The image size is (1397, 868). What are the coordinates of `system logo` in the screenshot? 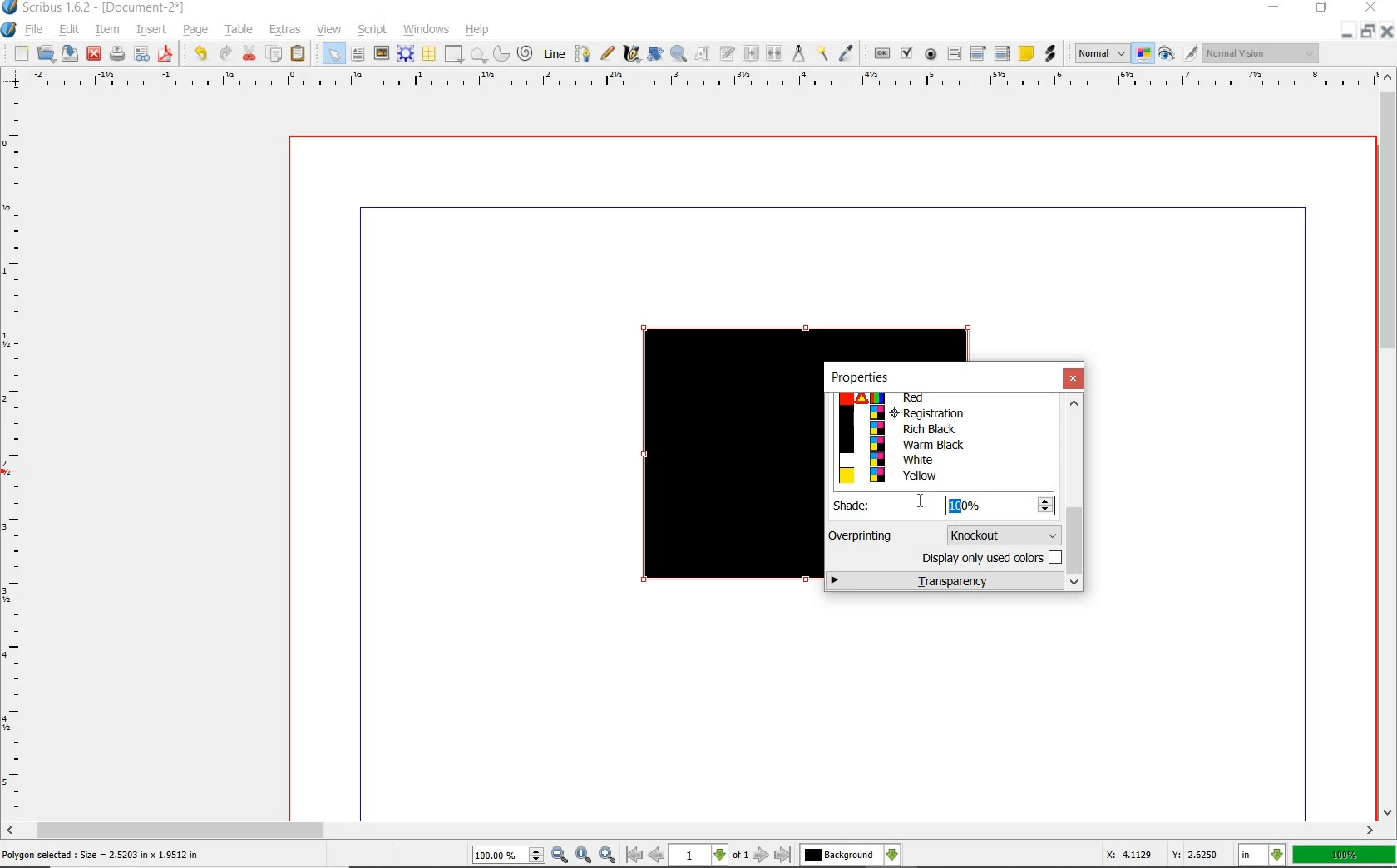 It's located at (10, 31).